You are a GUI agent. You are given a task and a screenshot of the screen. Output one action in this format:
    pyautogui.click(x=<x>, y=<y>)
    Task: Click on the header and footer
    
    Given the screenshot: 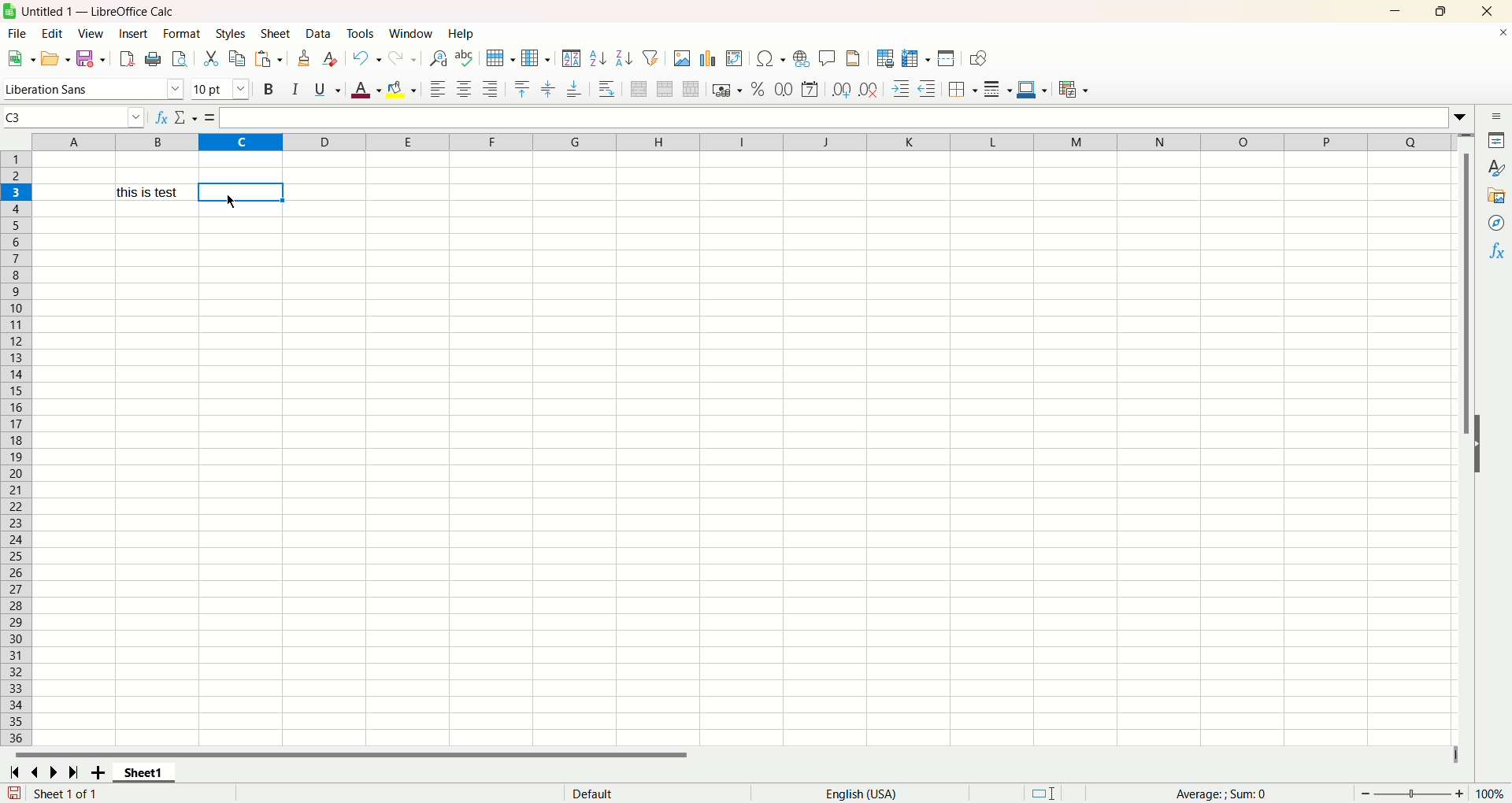 What is the action you would take?
    pyautogui.click(x=855, y=58)
    